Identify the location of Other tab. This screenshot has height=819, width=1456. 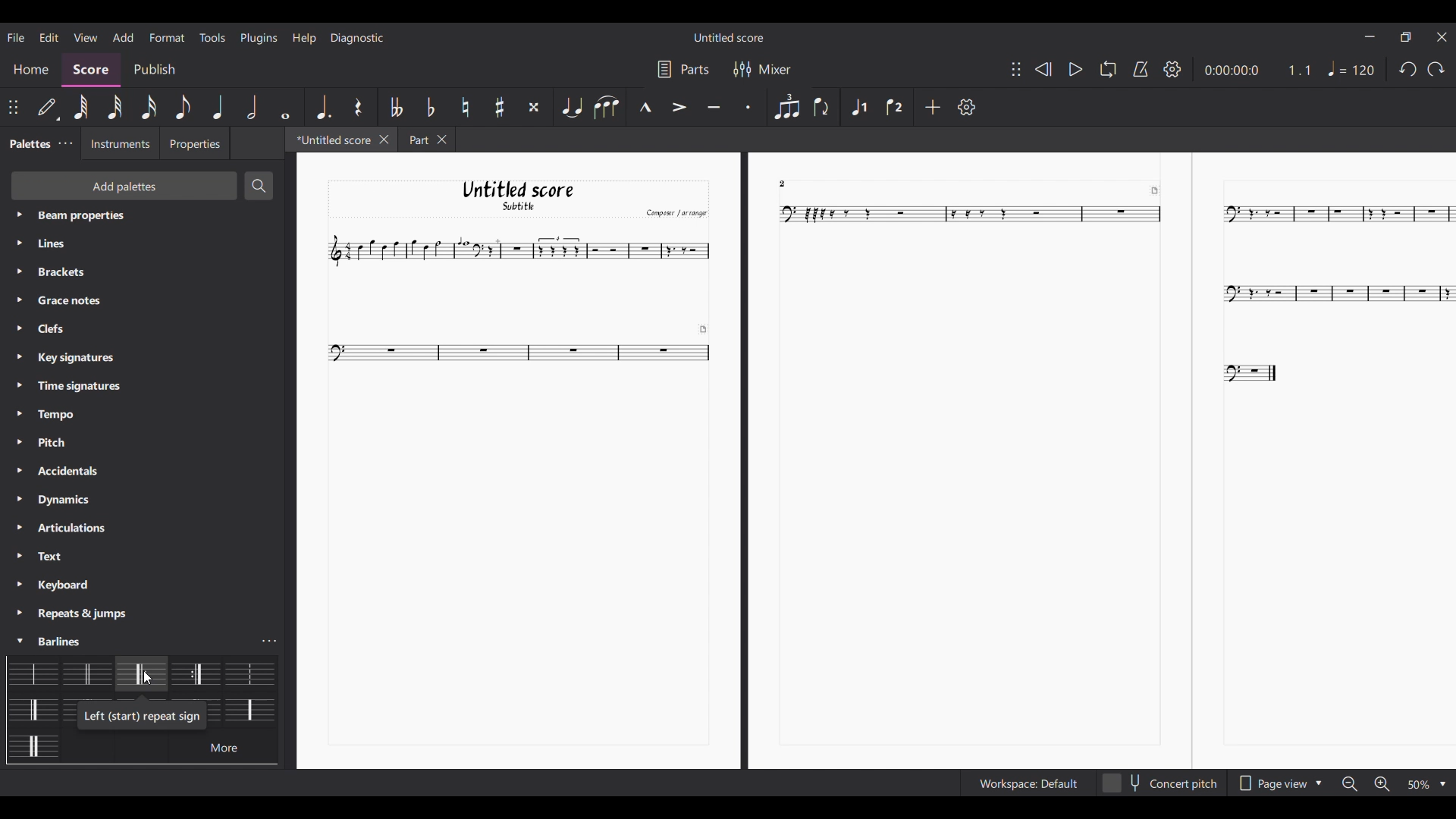
(426, 140).